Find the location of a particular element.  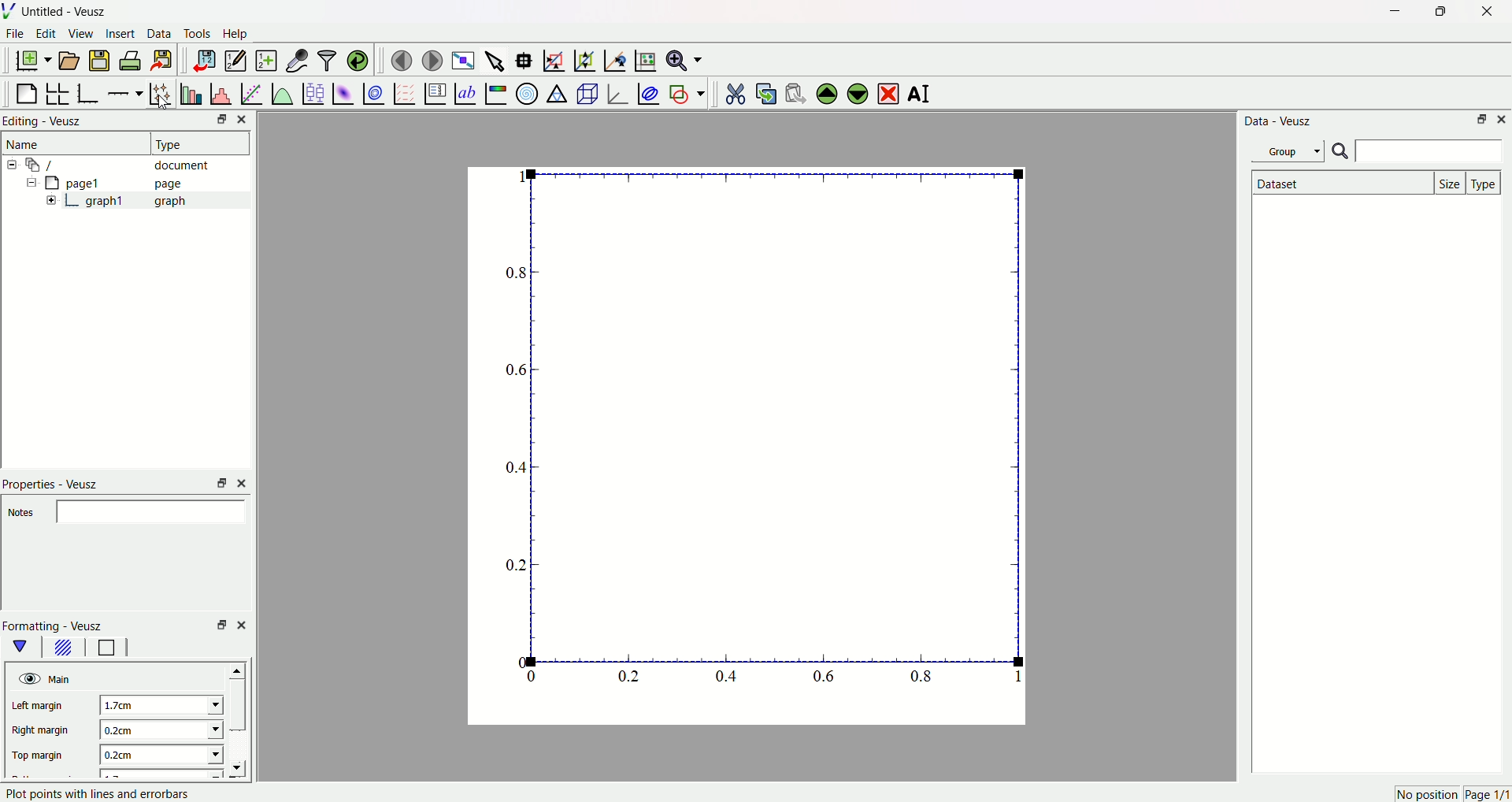

Insert is located at coordinates (120, 35).